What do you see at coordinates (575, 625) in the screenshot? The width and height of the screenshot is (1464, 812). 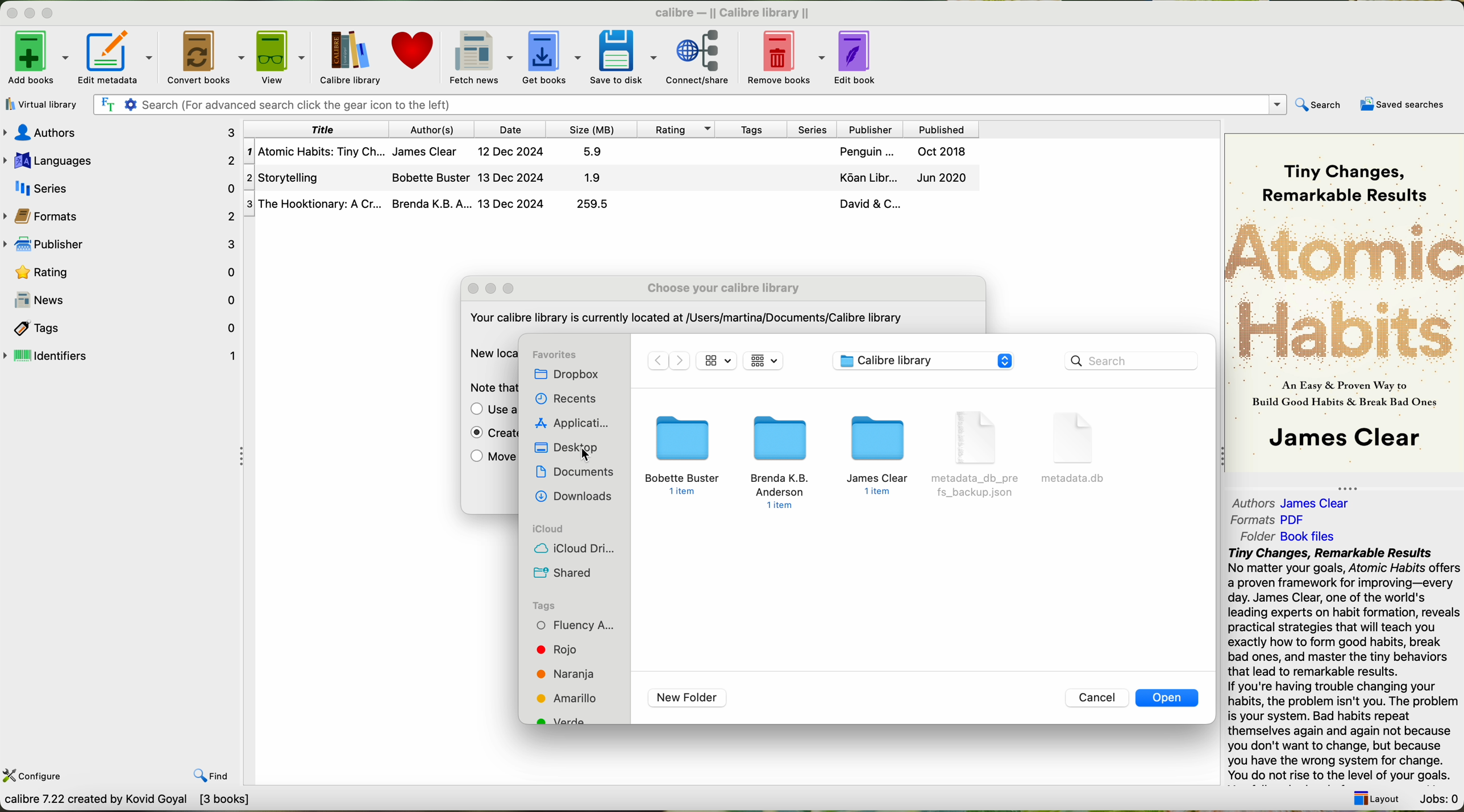 I see `fluency tag` at bounding box center [575, 625].